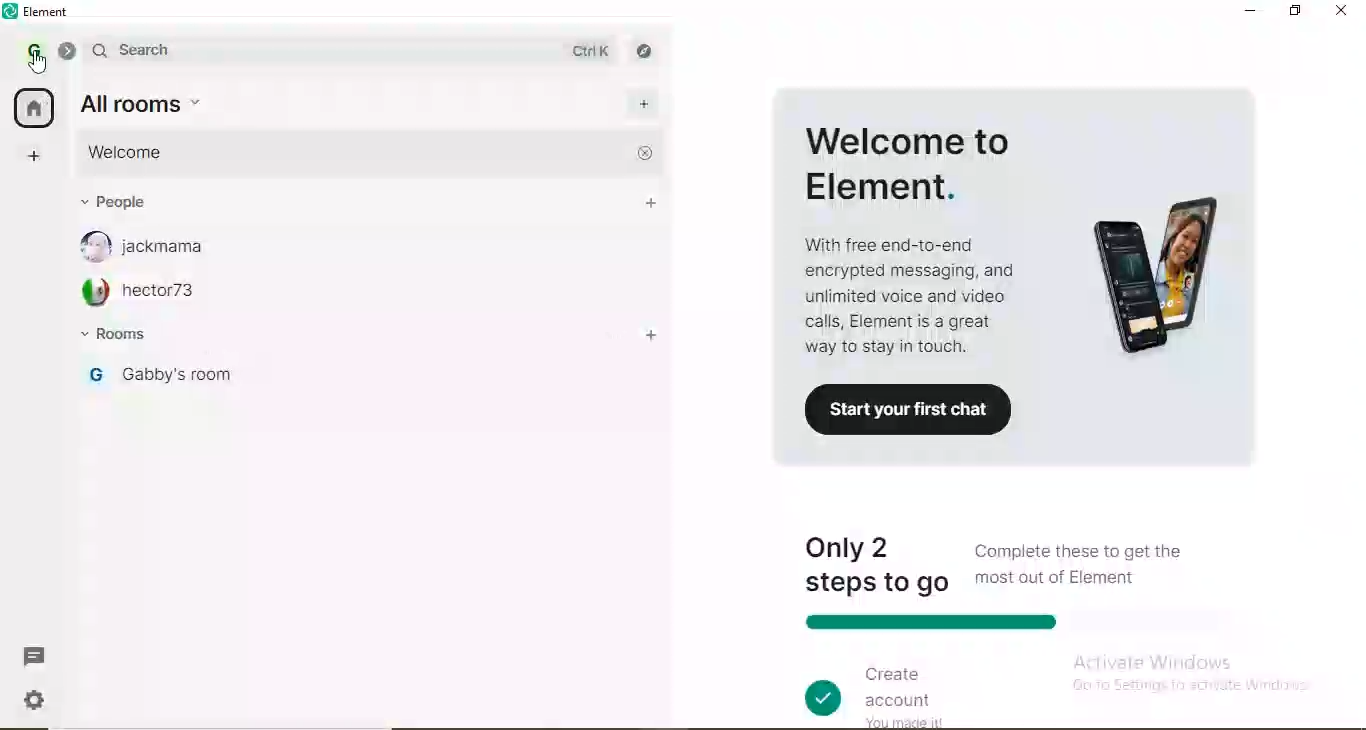  I want to click on close, so click(647, 152).